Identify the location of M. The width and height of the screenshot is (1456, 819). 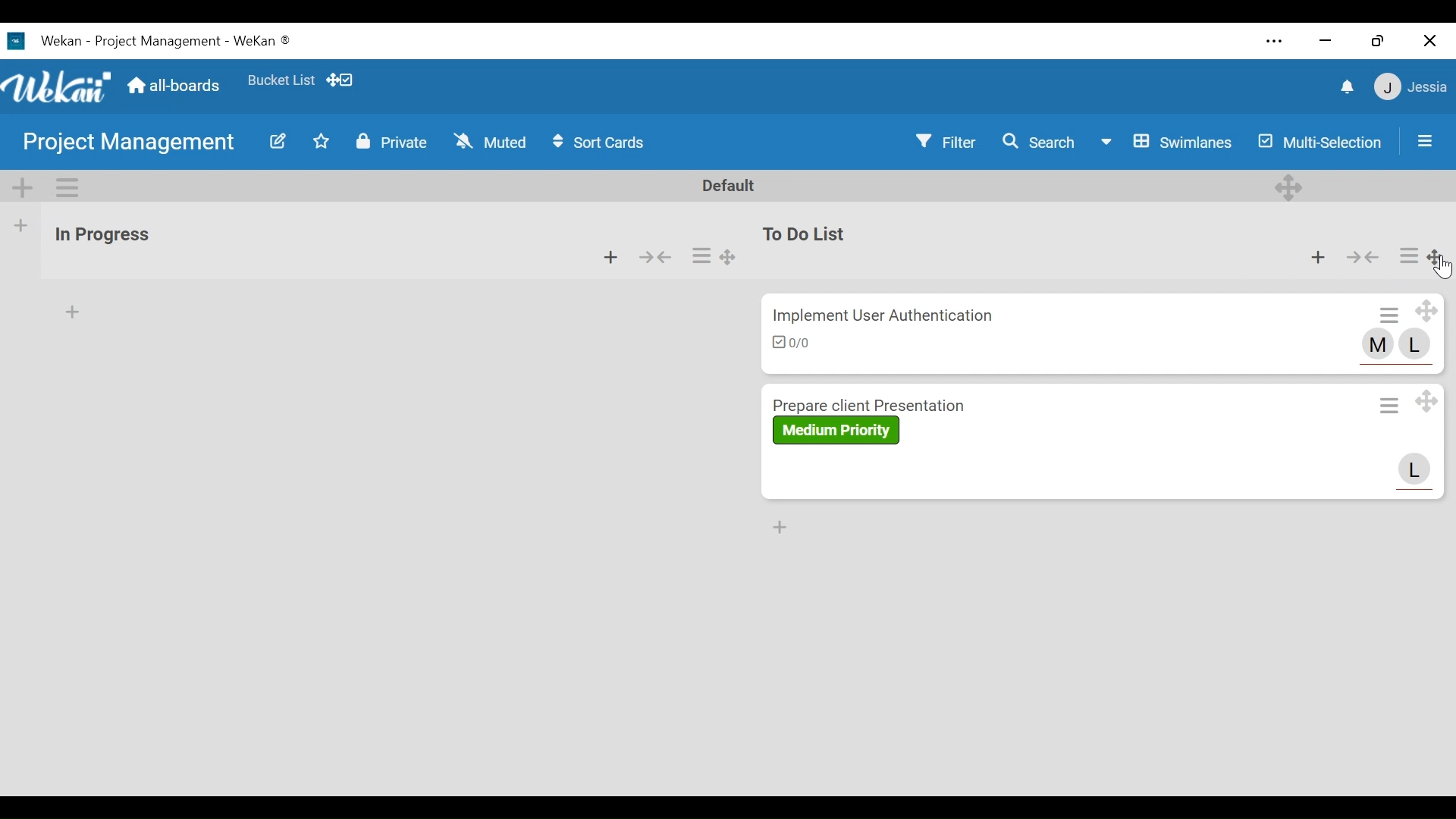
(1379, 347).